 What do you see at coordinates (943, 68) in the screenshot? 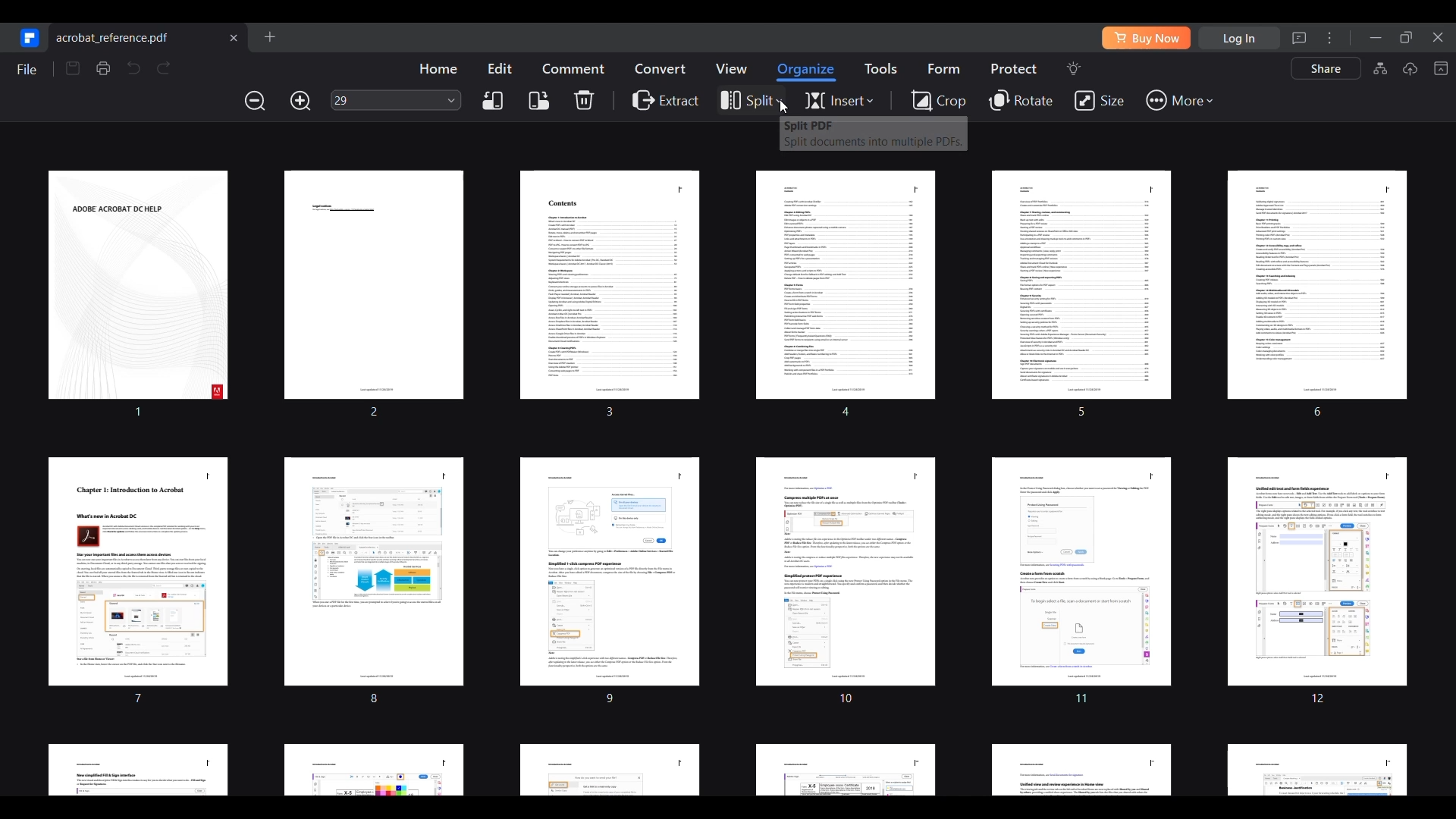
I see `Form` at bounding box center [943, 68].